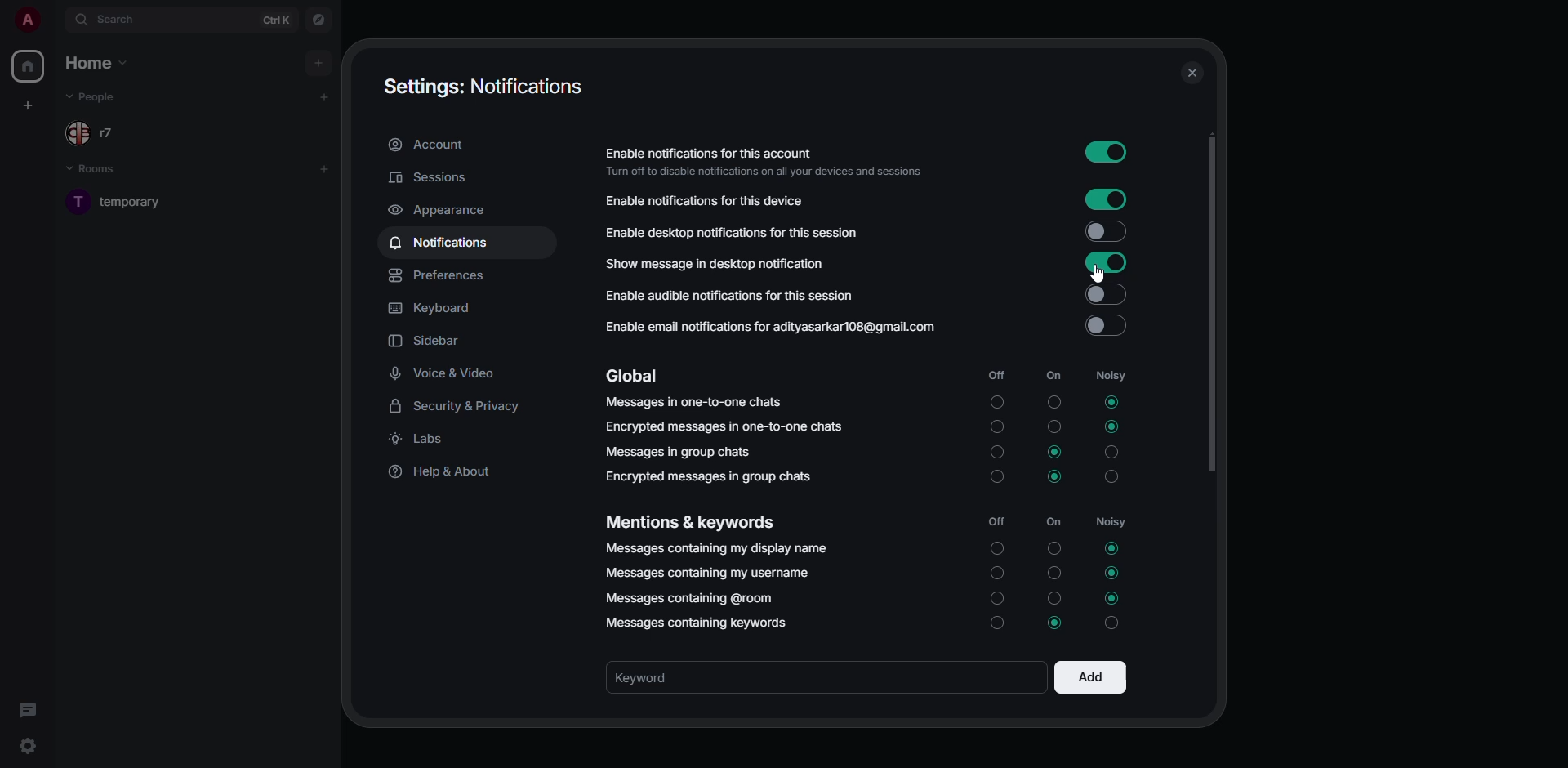 The width and height of the screenshot is (1568, 768). I want to click on Off Unselected, so click(996, 623).